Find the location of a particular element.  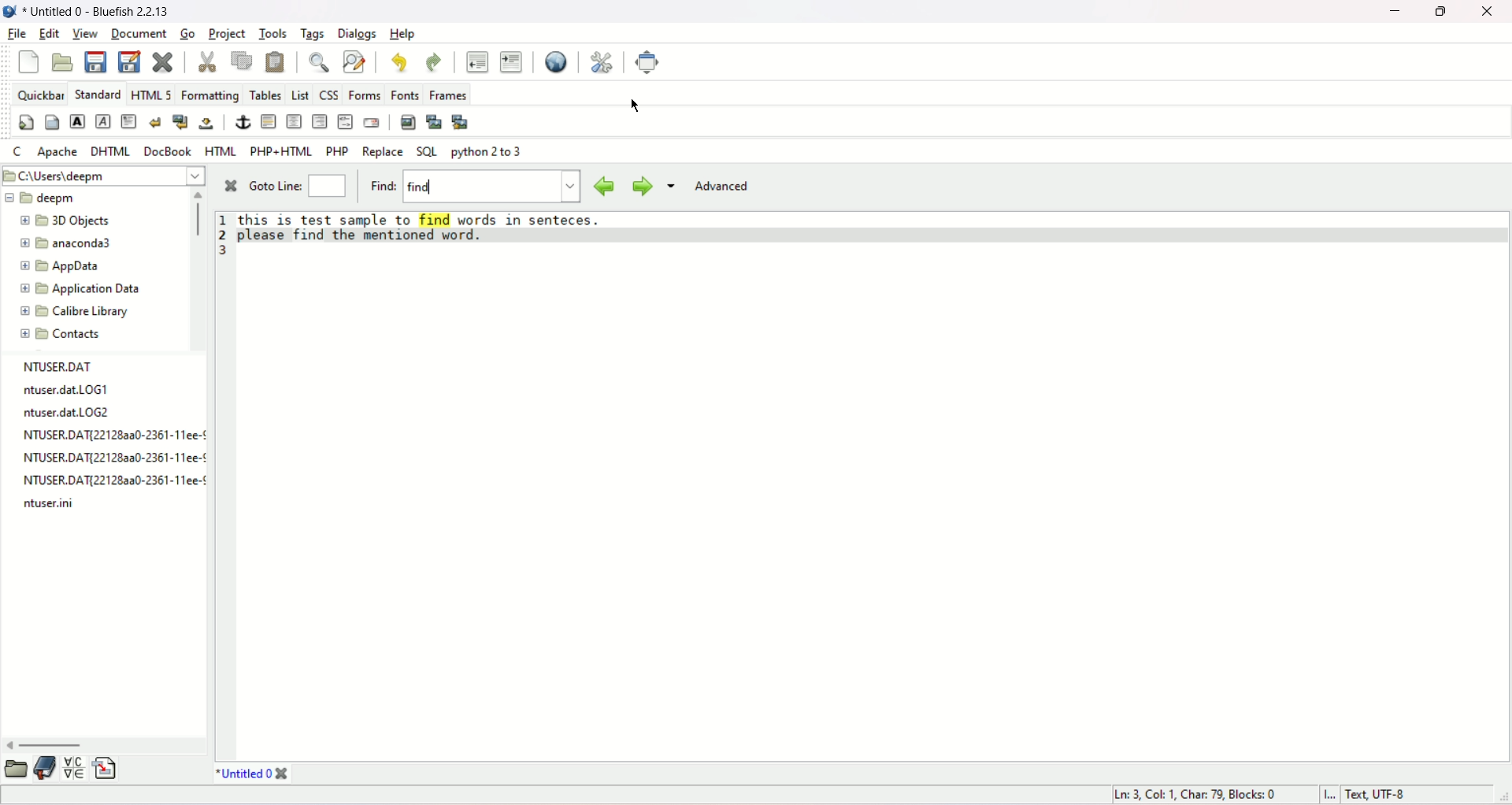

email is located at coordinates (371, 122).